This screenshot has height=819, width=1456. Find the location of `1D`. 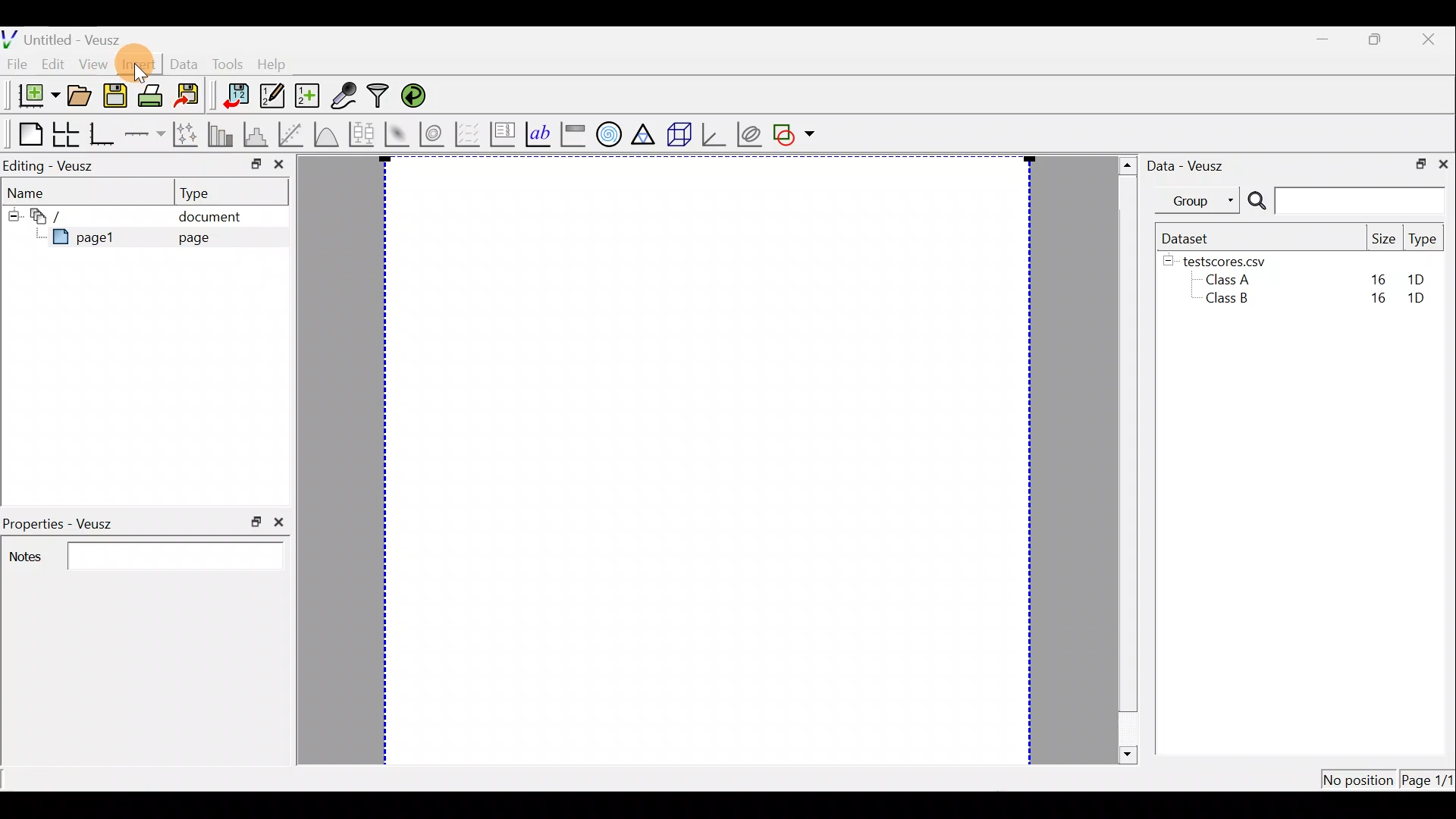

1D is located at coordinates (1423, 300).